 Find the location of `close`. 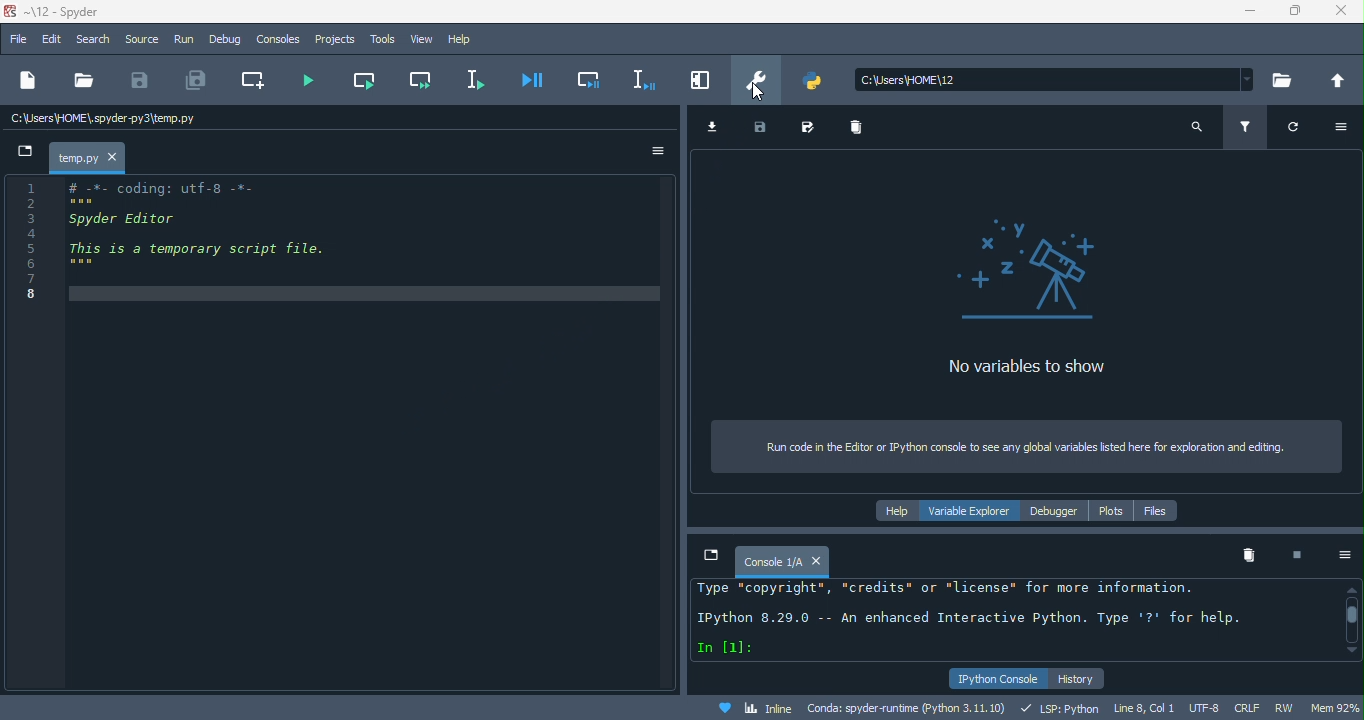

close is located at coordinates (1341, 14).